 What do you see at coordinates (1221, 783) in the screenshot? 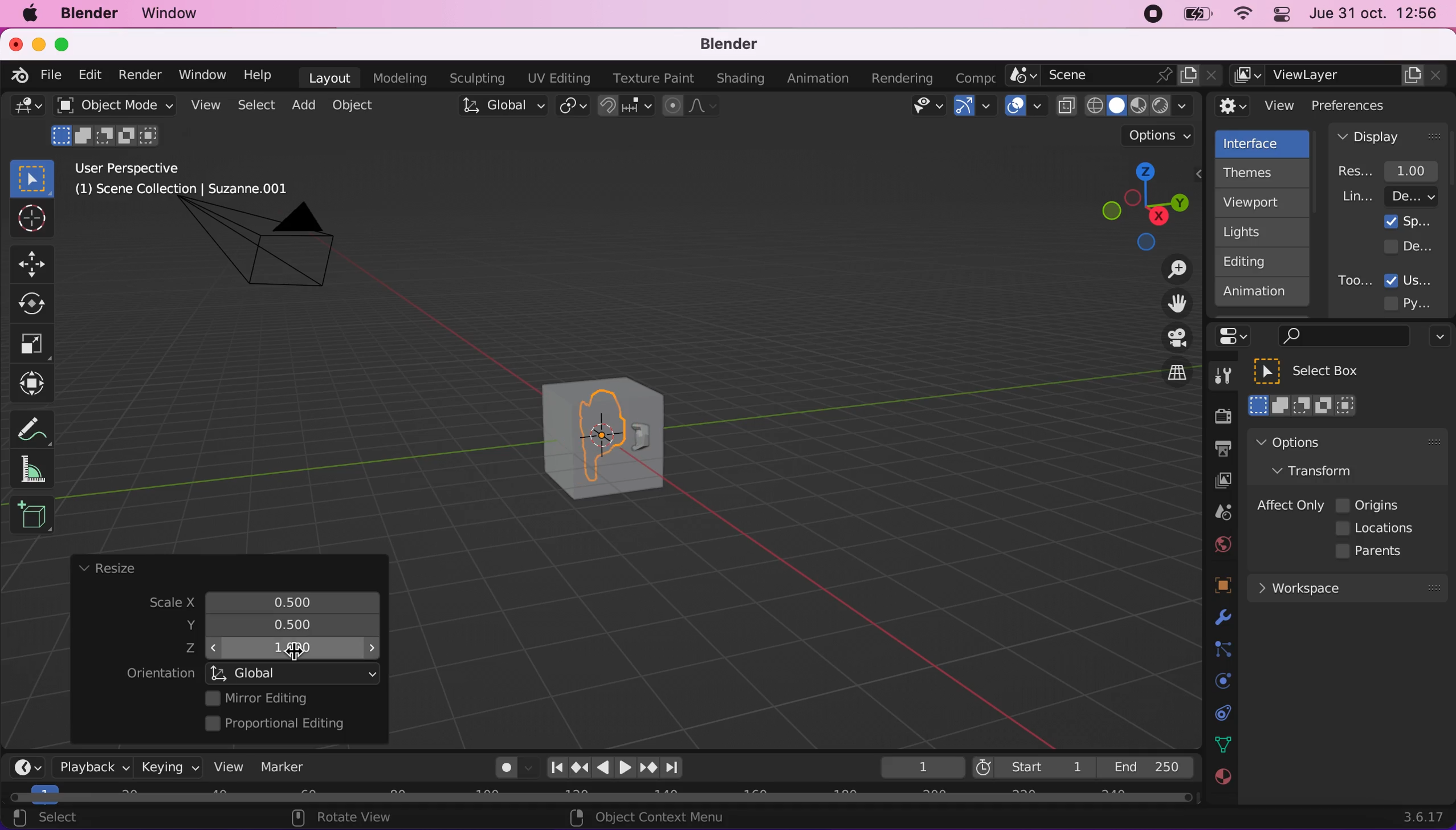
I see `texture` at bounding box center [1221, 783].